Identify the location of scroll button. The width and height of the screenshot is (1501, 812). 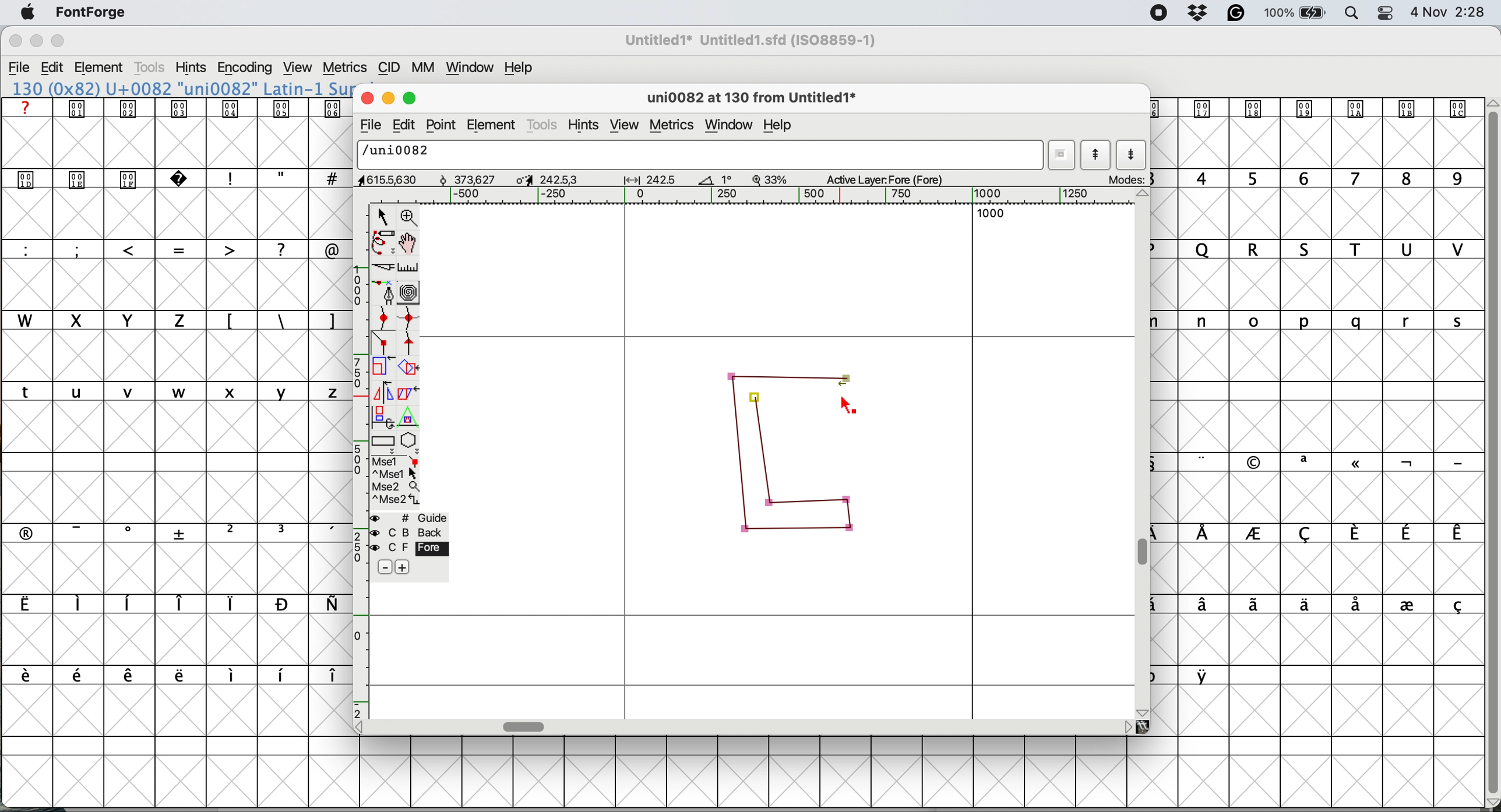
(1127, 726).